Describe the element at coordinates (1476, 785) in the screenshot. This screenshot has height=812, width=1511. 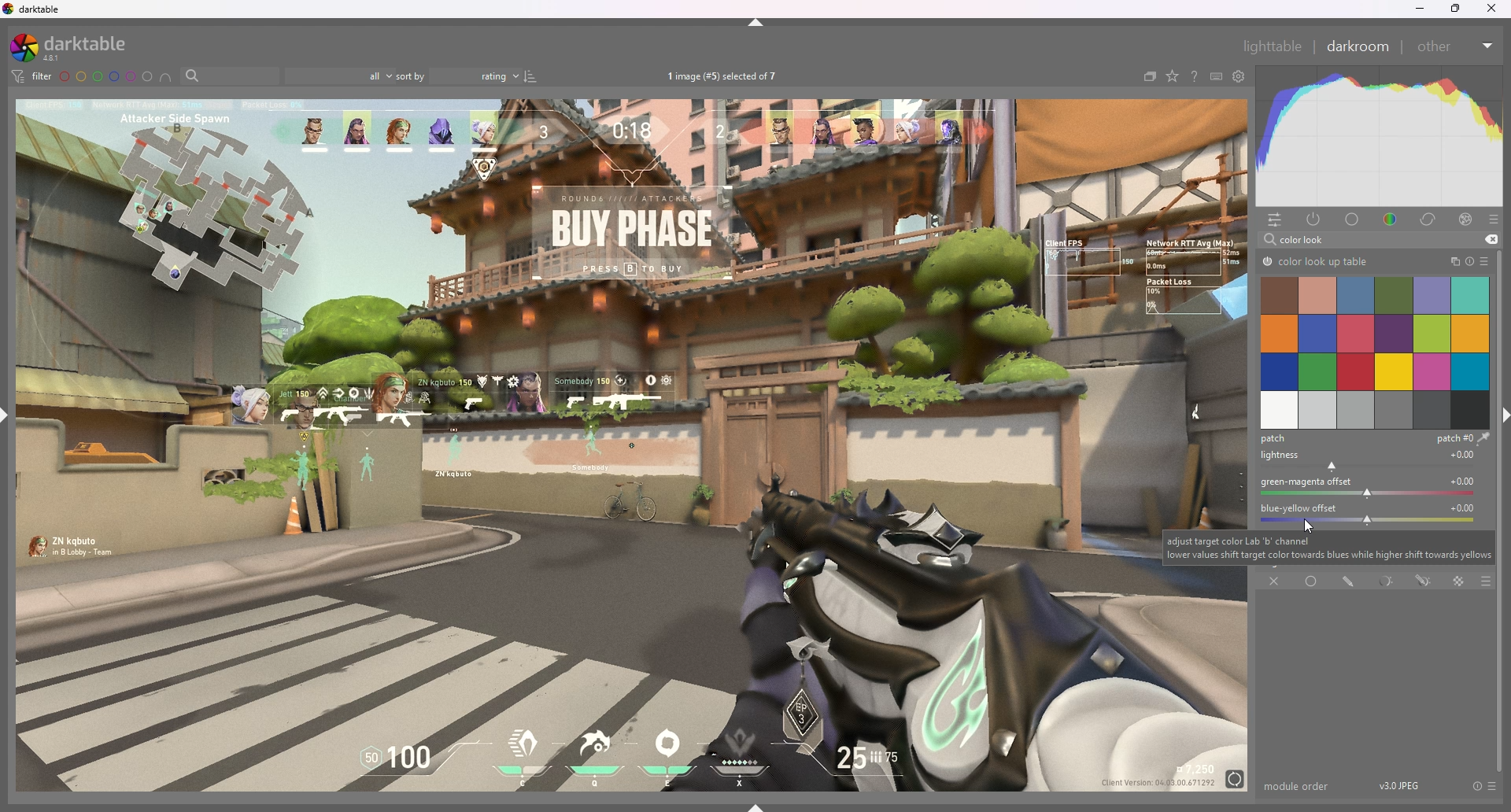
I see `reset` at that location.